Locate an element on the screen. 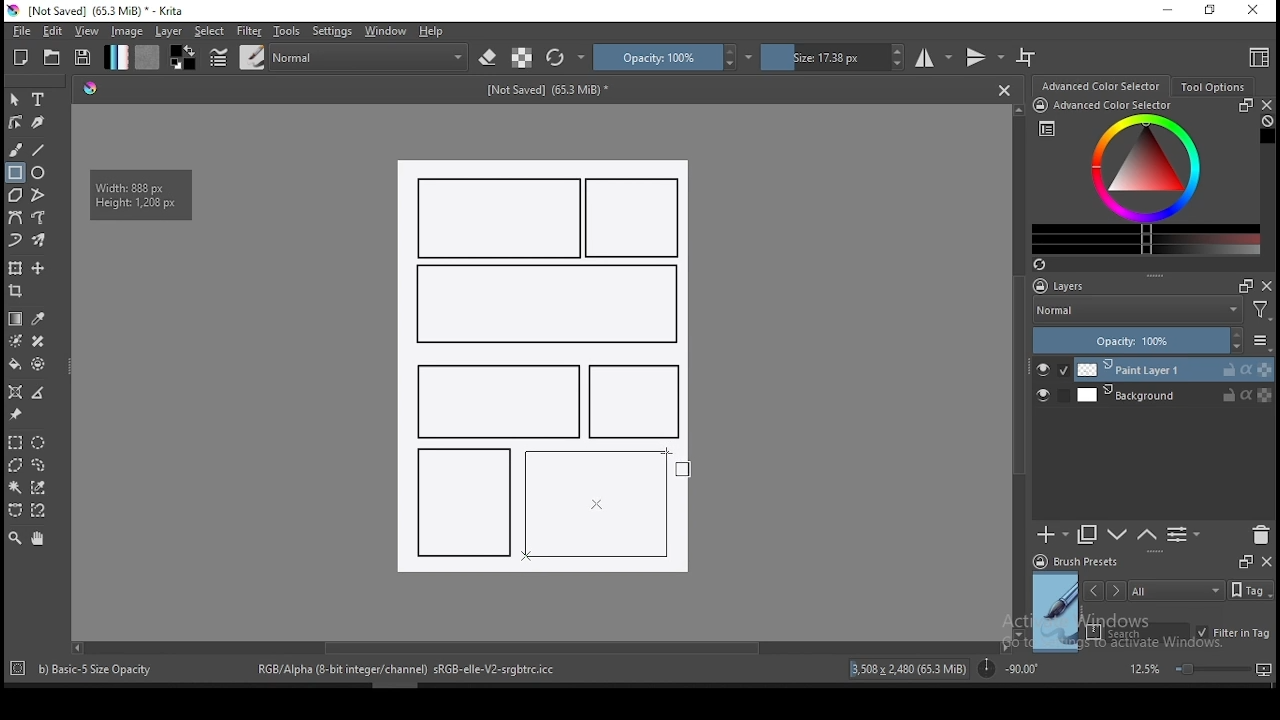 Image resolution: width=1280 pixels, height=720 pixels. ellipse tool is located at coordinates (39, 171).